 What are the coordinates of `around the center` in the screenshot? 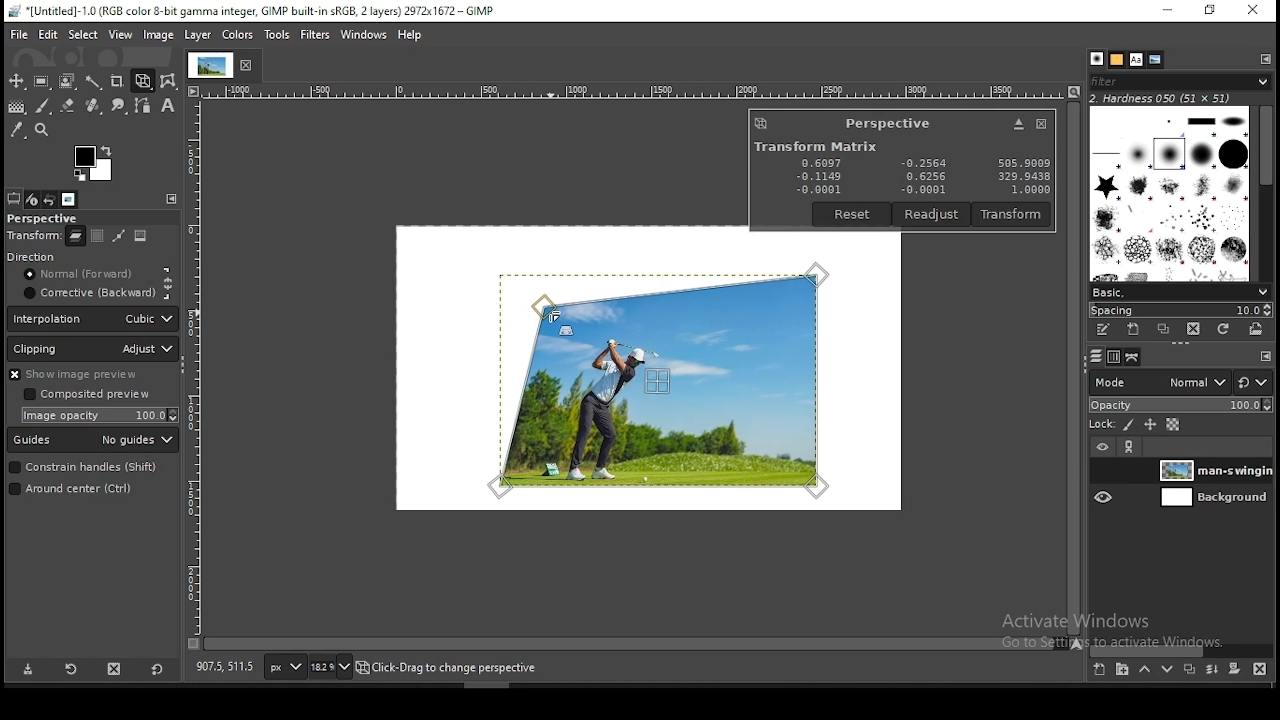 It's located at (84, 491).